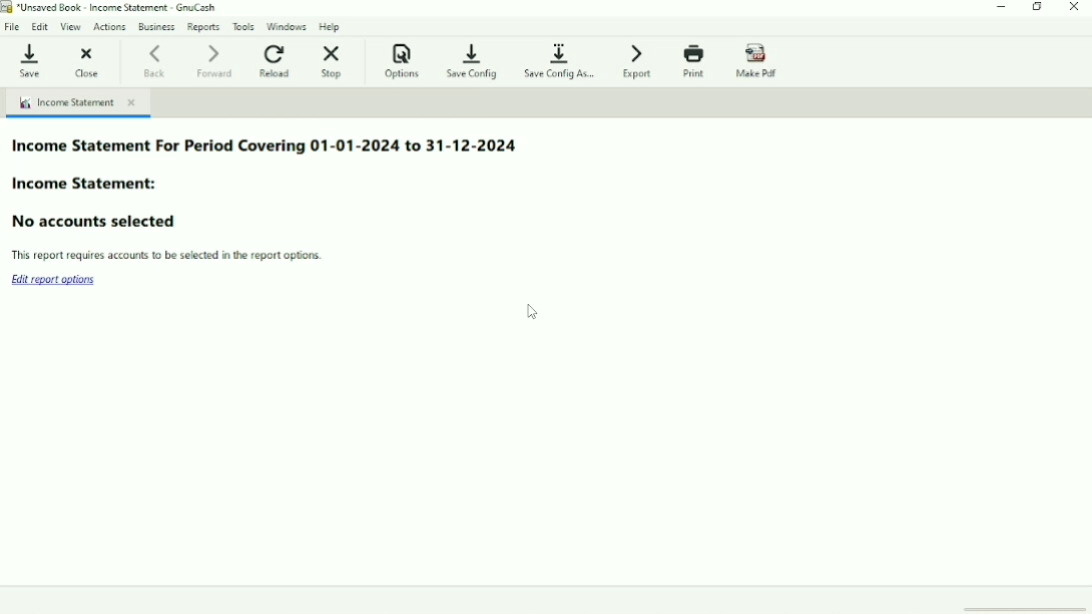 The width and height of the screenshot is (1092, 614). What do you see at coordinates (1074, 8) in the screenshot?
I see `Close` at bounding box center [1074, 8].